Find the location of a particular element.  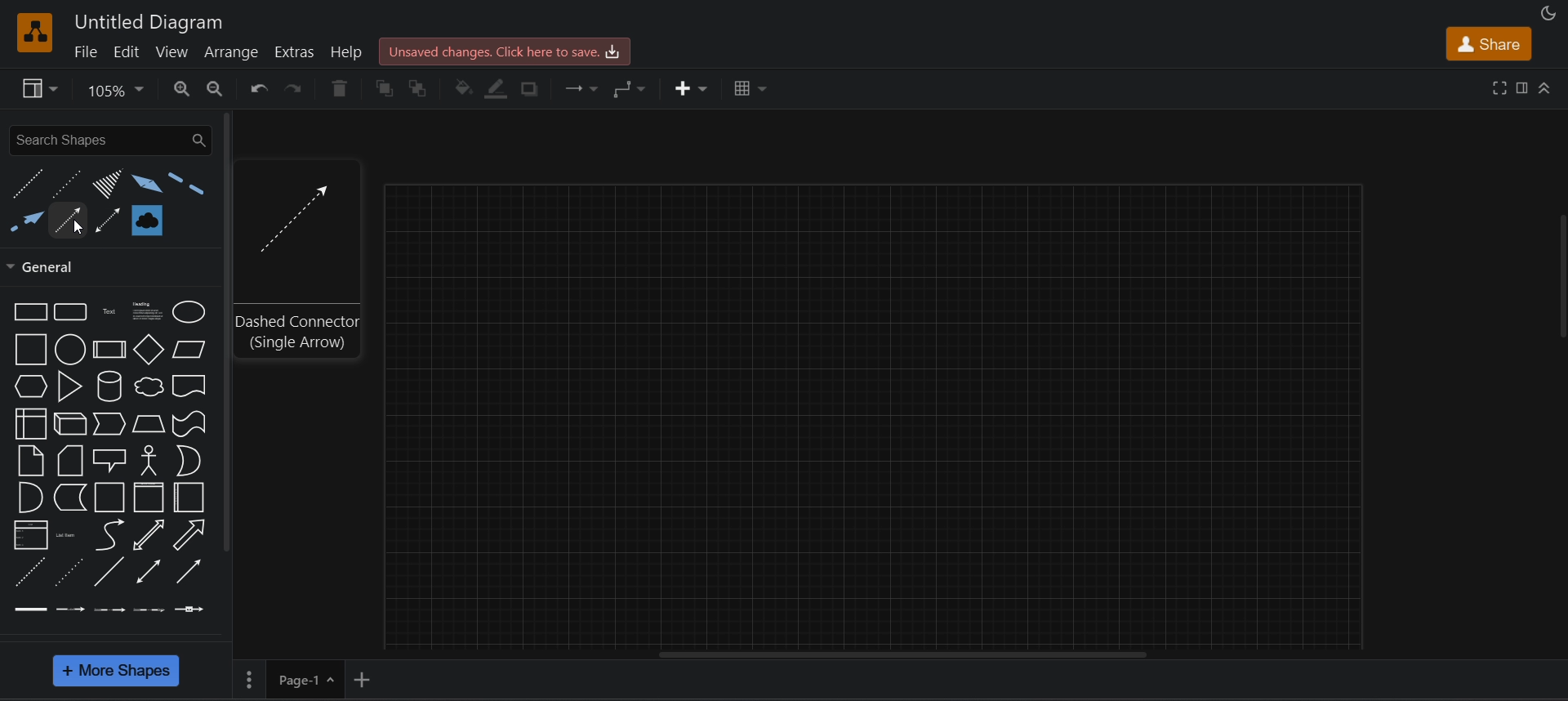

arrow heads is located at coordinates (143, 183).